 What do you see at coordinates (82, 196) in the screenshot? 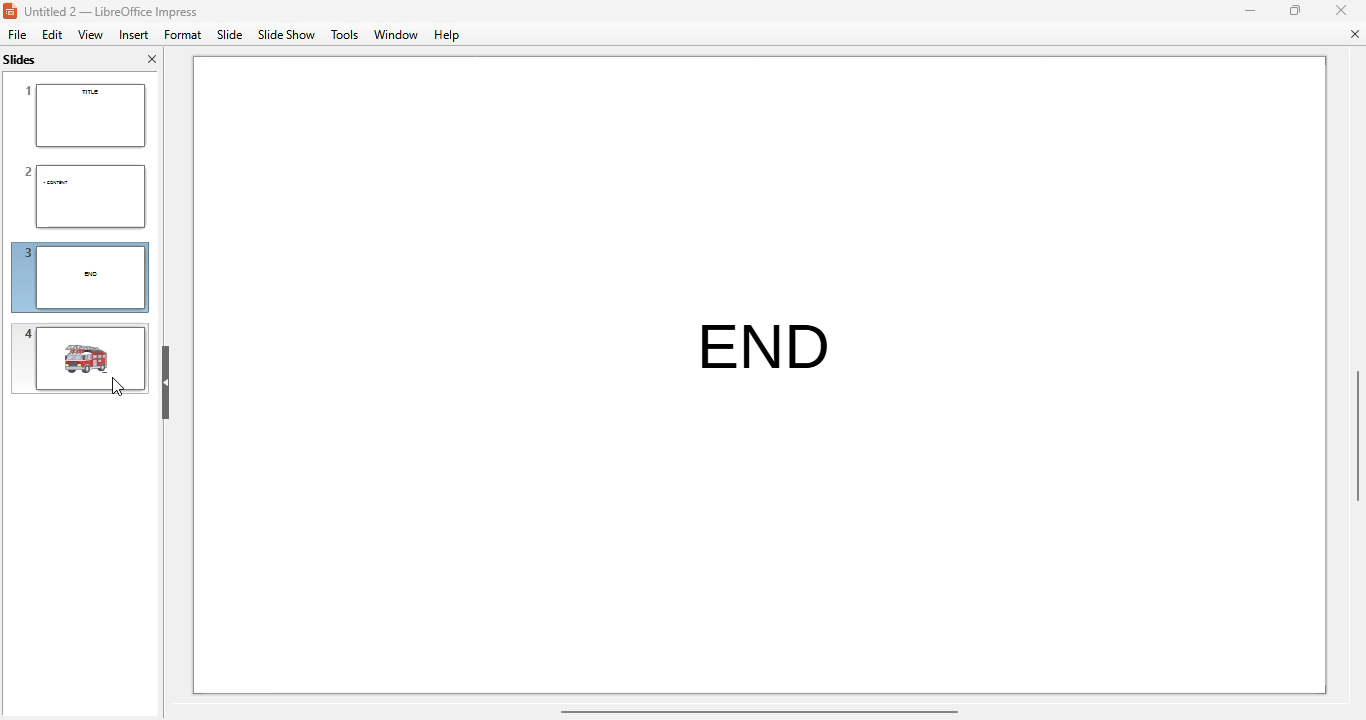
I see `slide 2` at bounding box center [82, 196].